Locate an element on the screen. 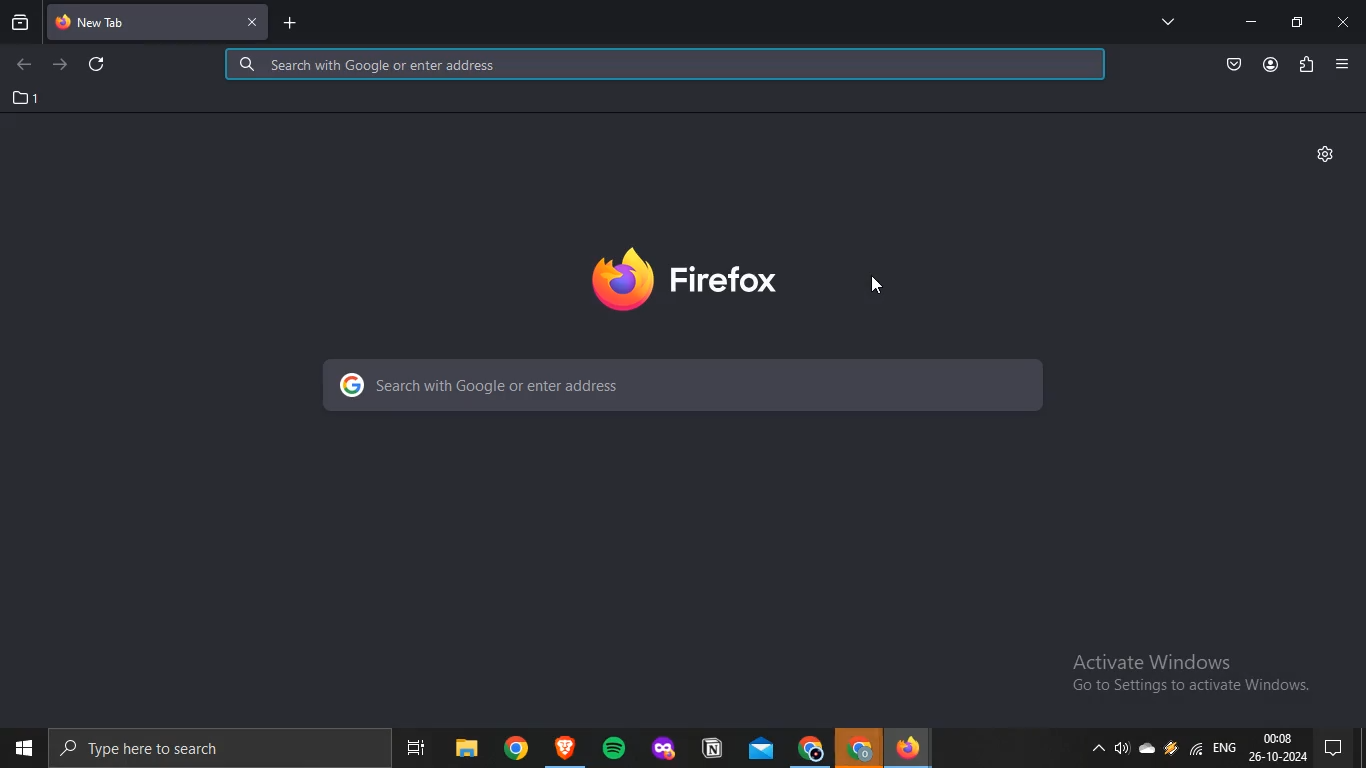 The height and width of the screenshot is (768, 1366). search google or enter address is located at coordinates (665, 66).